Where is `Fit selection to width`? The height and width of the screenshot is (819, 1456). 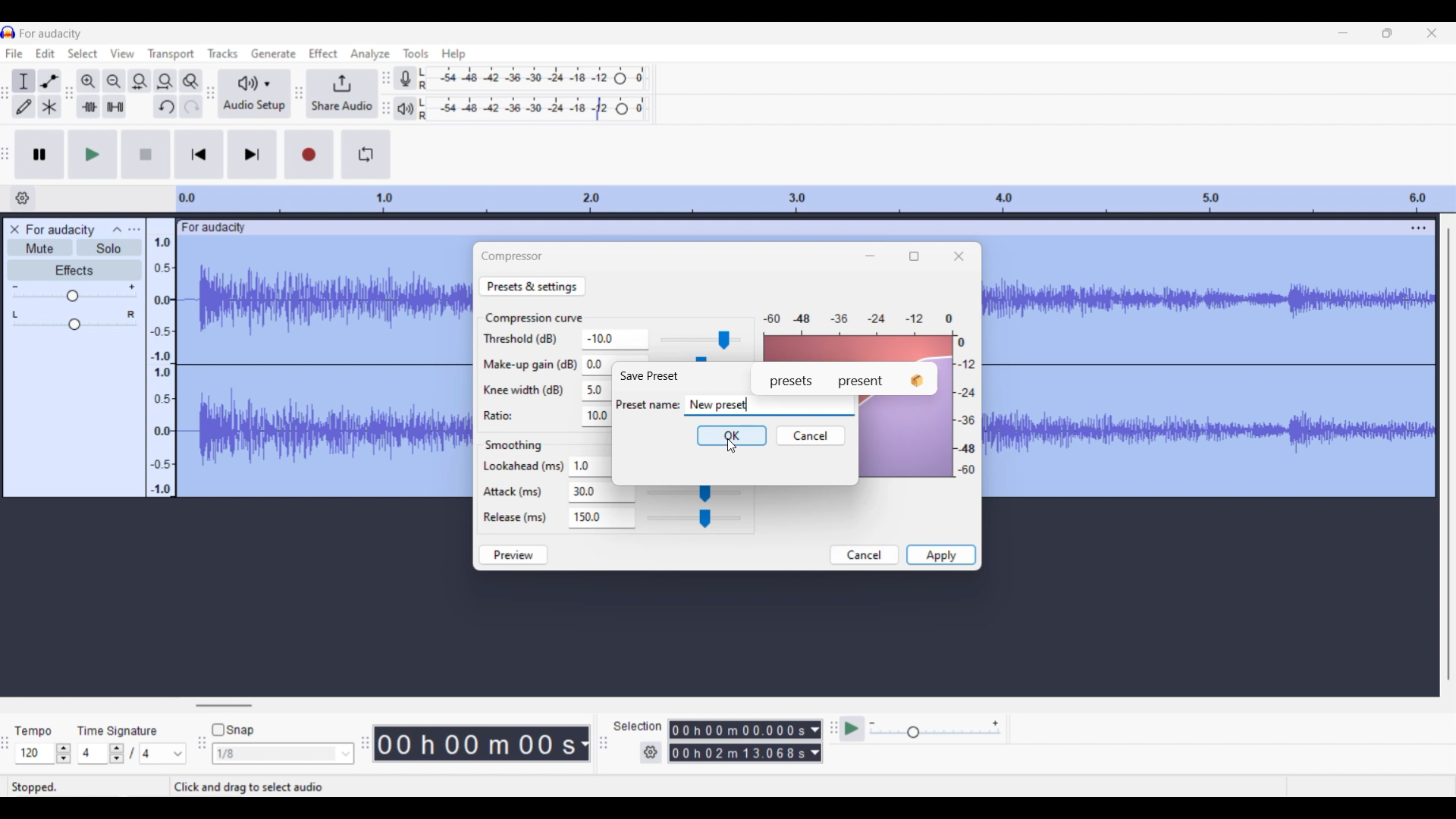 Fit selection to width is located at coordinates (140, 81).